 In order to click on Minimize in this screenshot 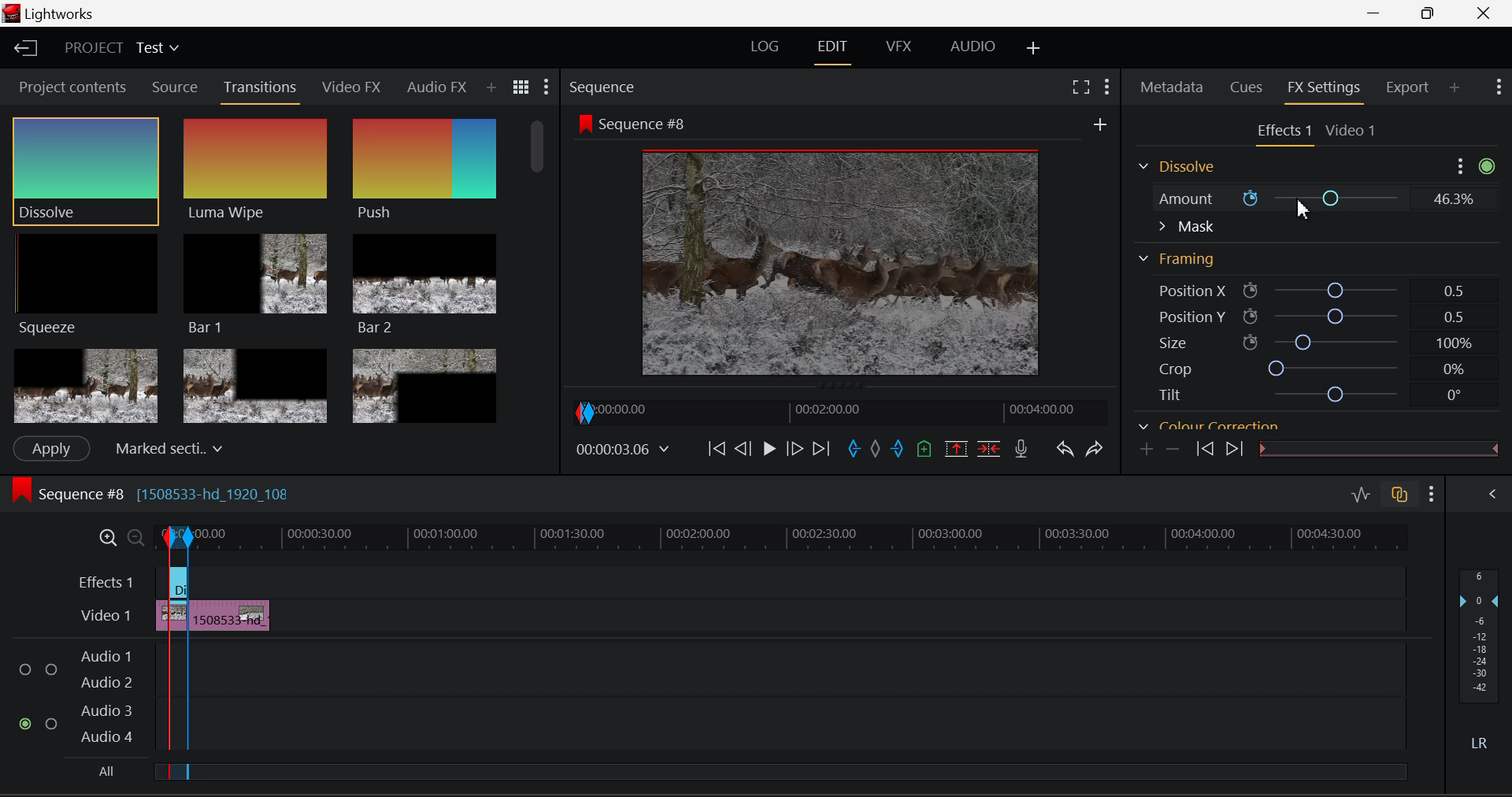, I will do `click(1431, 14)`.